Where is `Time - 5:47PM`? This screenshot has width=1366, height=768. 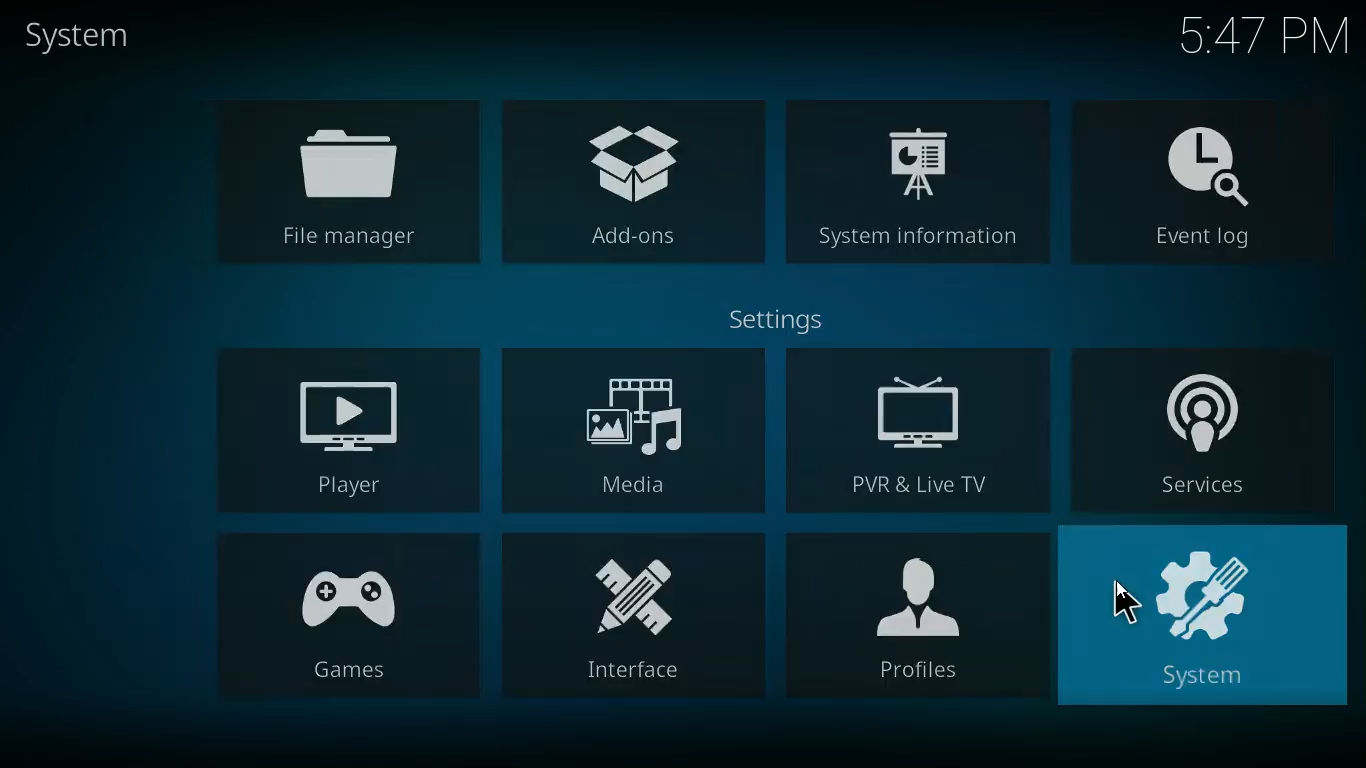
Time - 5:47PM is located at coordinates (1257, 36).